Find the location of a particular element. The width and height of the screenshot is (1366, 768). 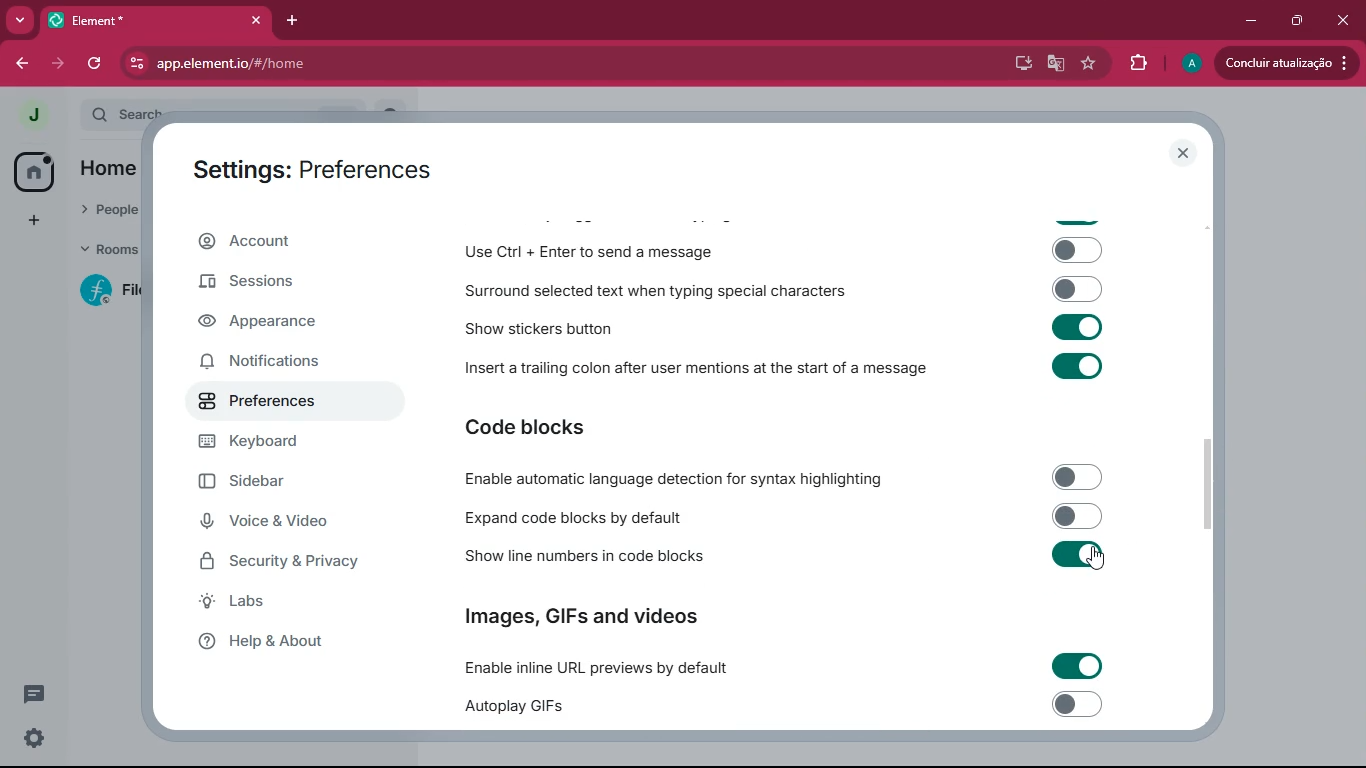

help  is located at coordinates (283, 642).